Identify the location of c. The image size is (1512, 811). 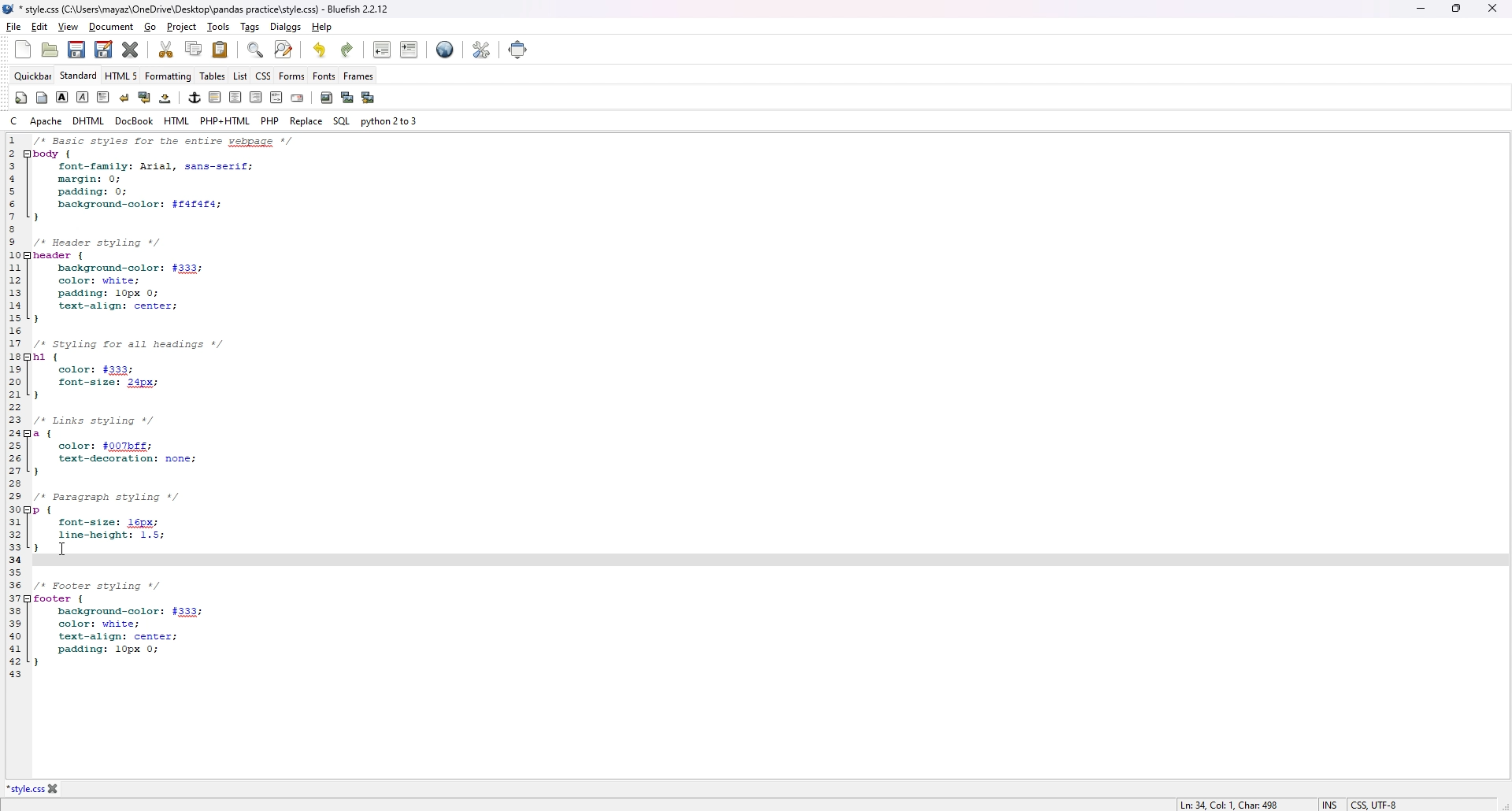
(14, 120).